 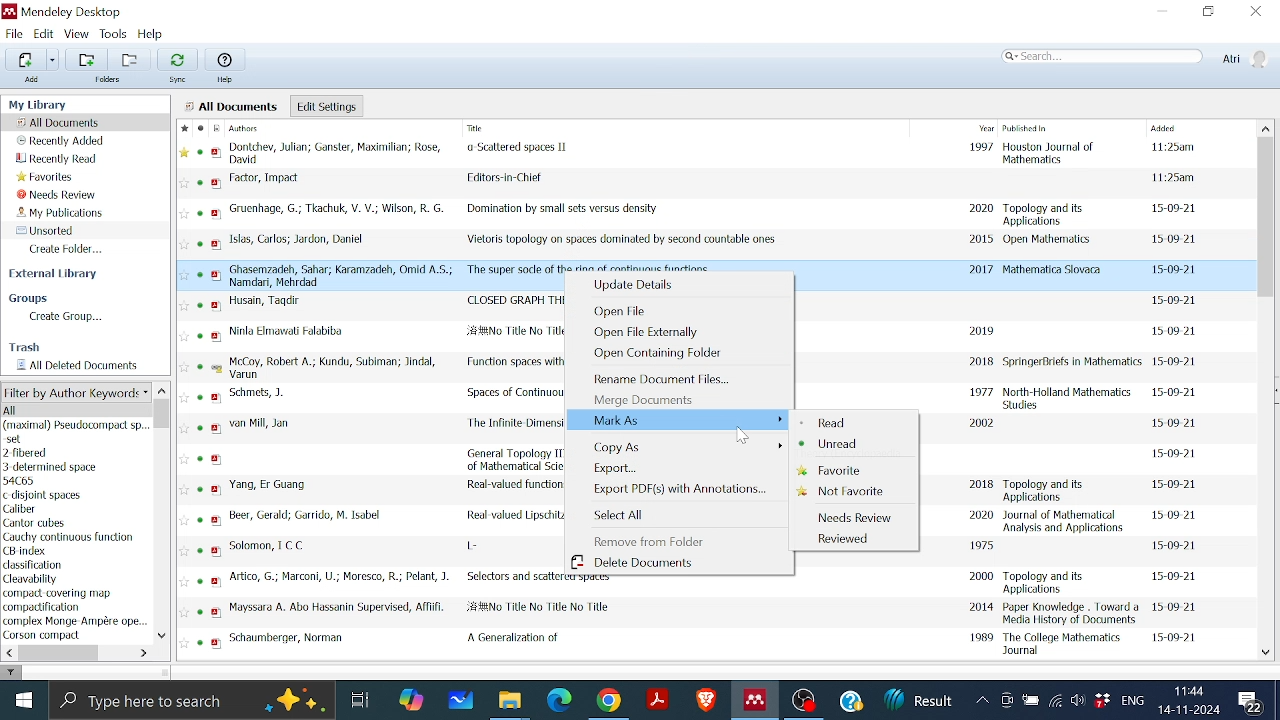 What do you see at coordinates (666, 334) in the screenshot?
I see `Open file Externally` at bounding box center [666, 334].